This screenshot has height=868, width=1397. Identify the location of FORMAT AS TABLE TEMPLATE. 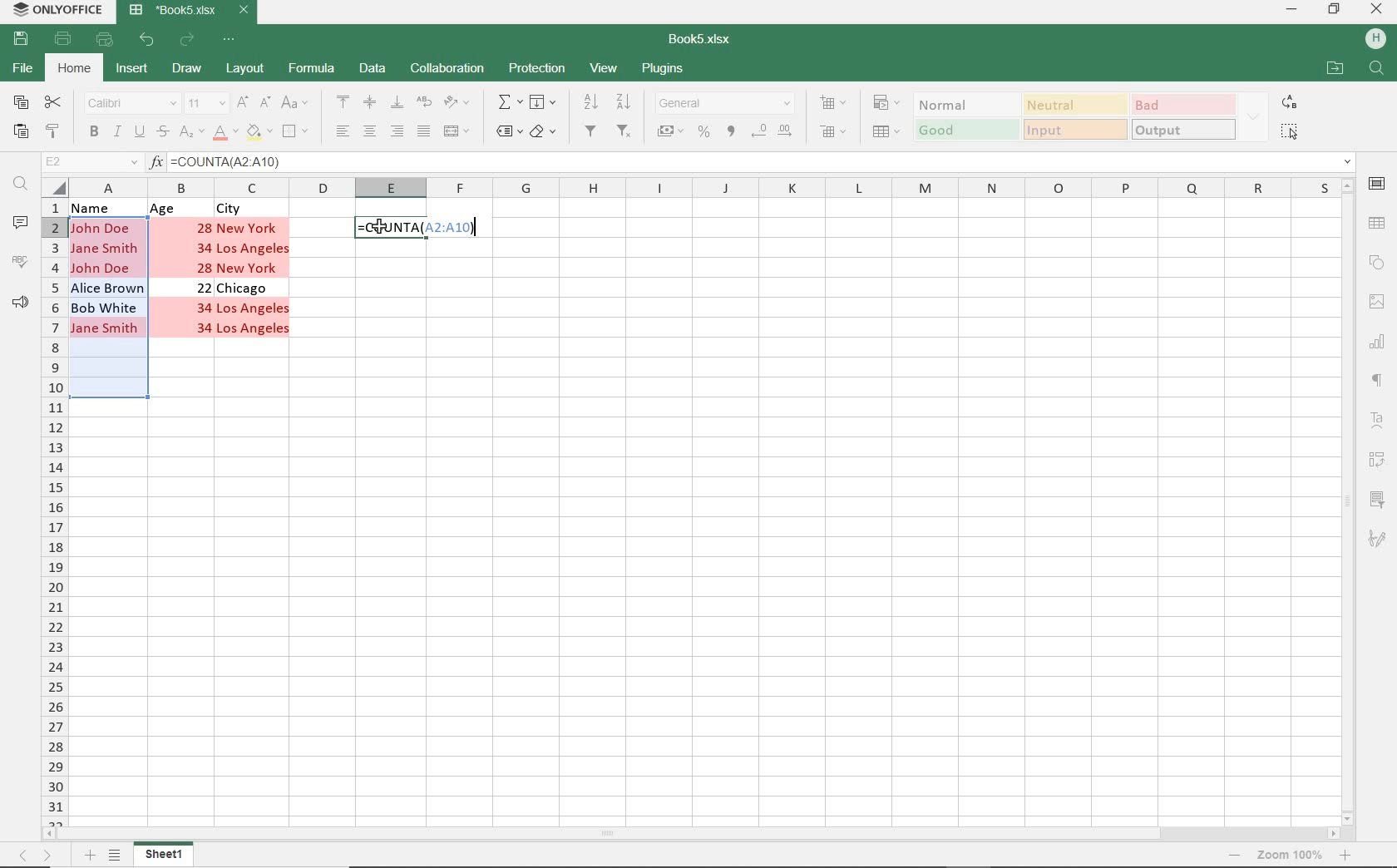
(887, 132).